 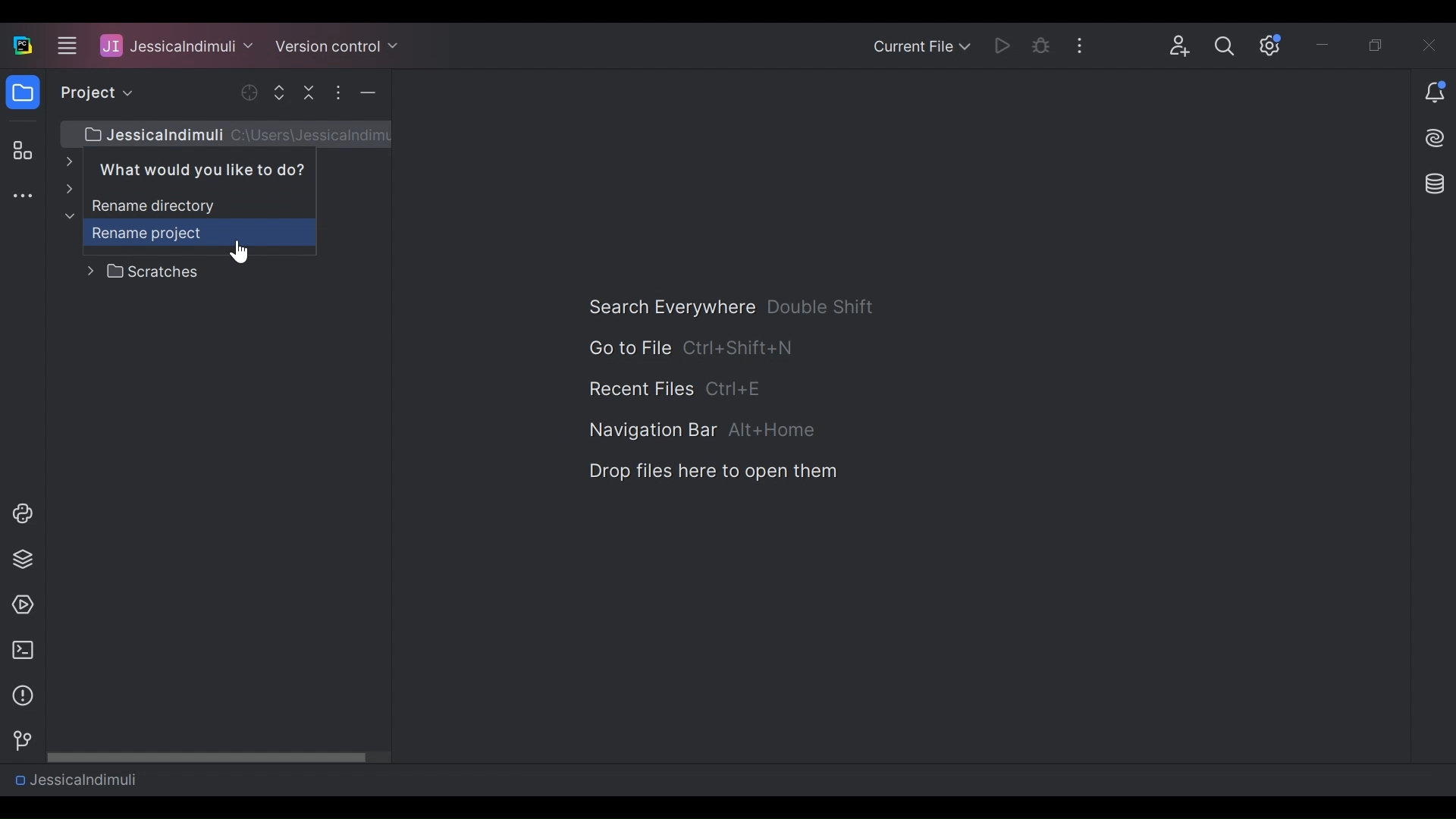 I want to click on Rename project, so click(x=172, y=233).